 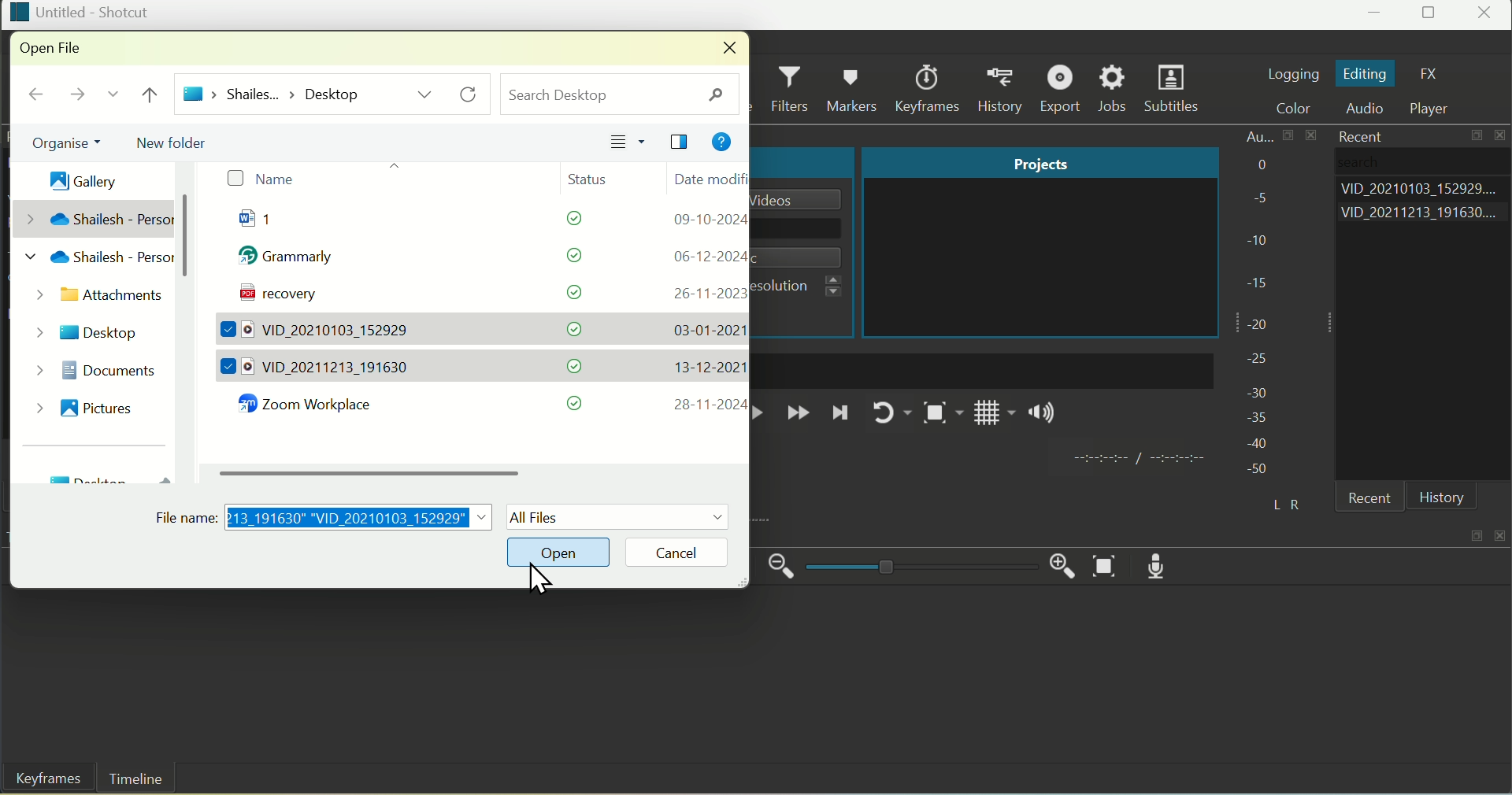 What do you see at coordinates (1503, 136) in the screenshot?
I see `close` at bounding box center [1503, 136].